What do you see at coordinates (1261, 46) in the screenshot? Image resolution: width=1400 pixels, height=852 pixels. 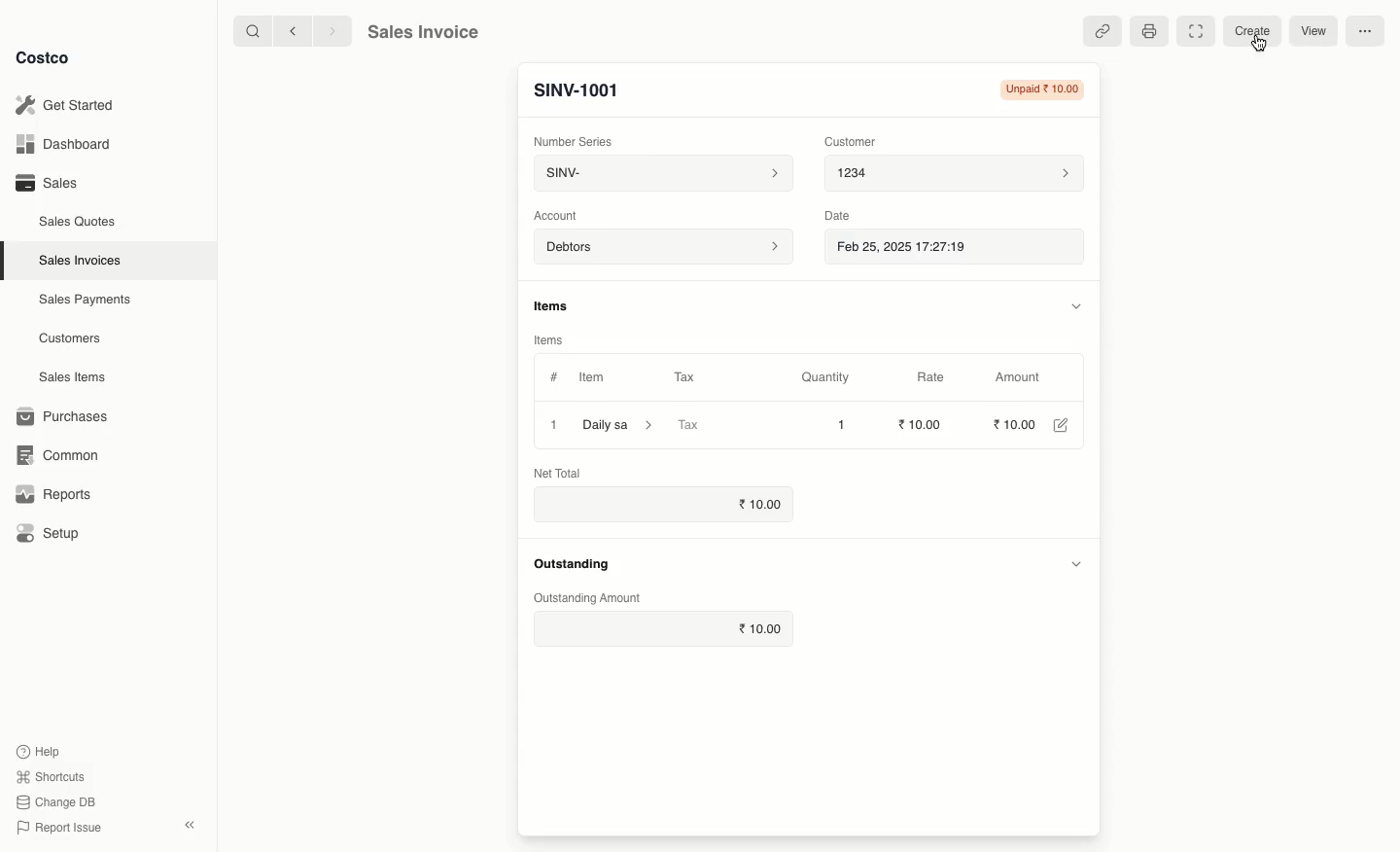 I see `cursor` at bounding box center [1261, 46].